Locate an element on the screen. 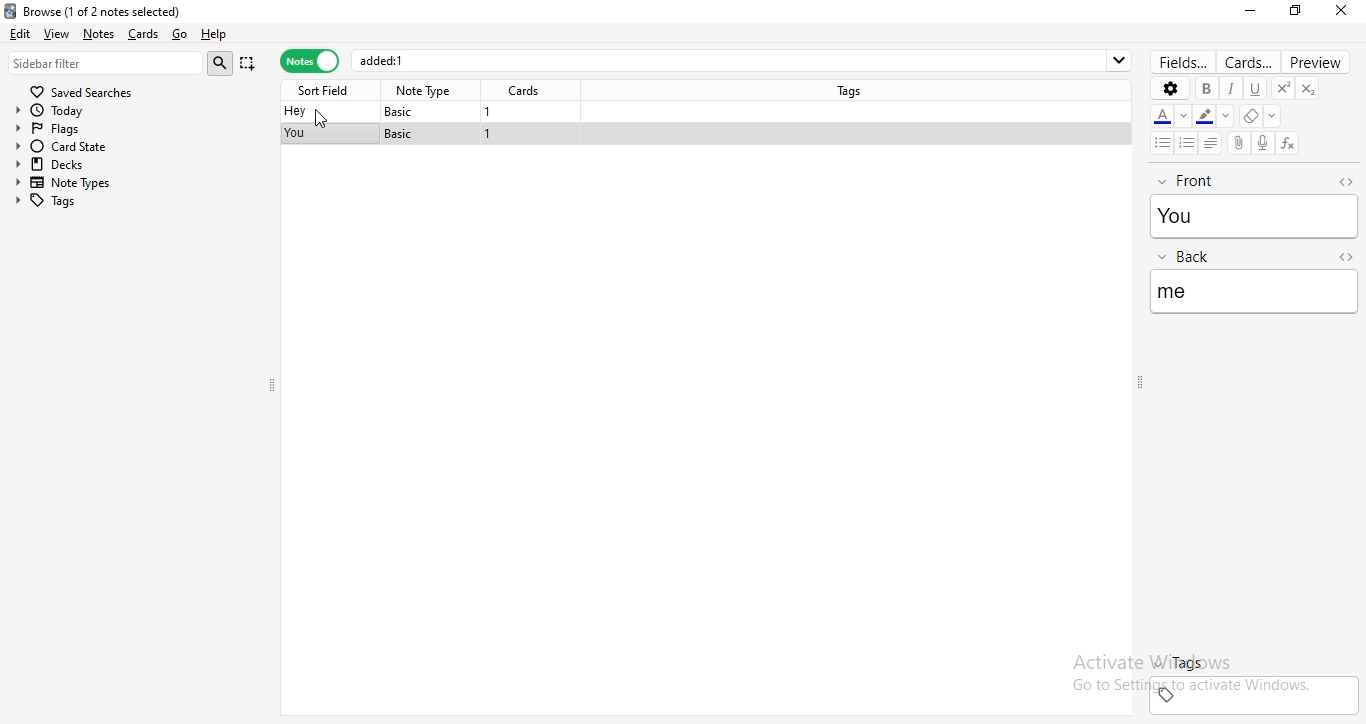 The width and height of the screenshot is (1366, 724). browse is located at coordinates (131, 9).